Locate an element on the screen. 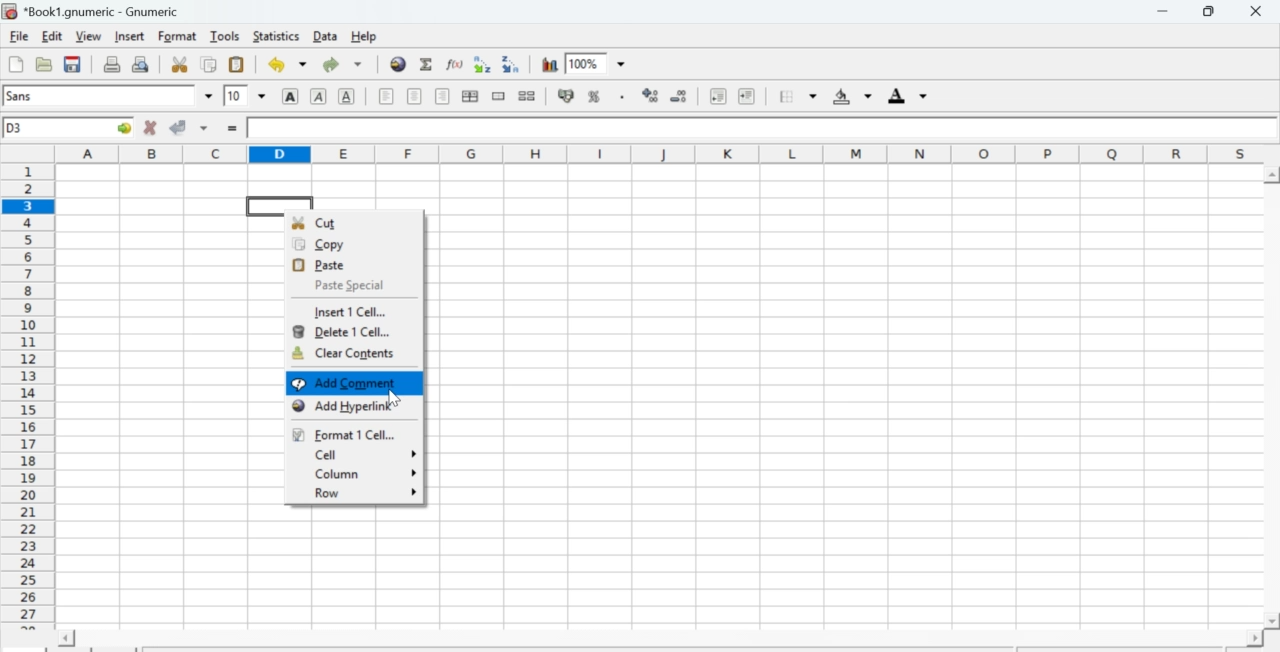  down is located at coordinates (207, 96).